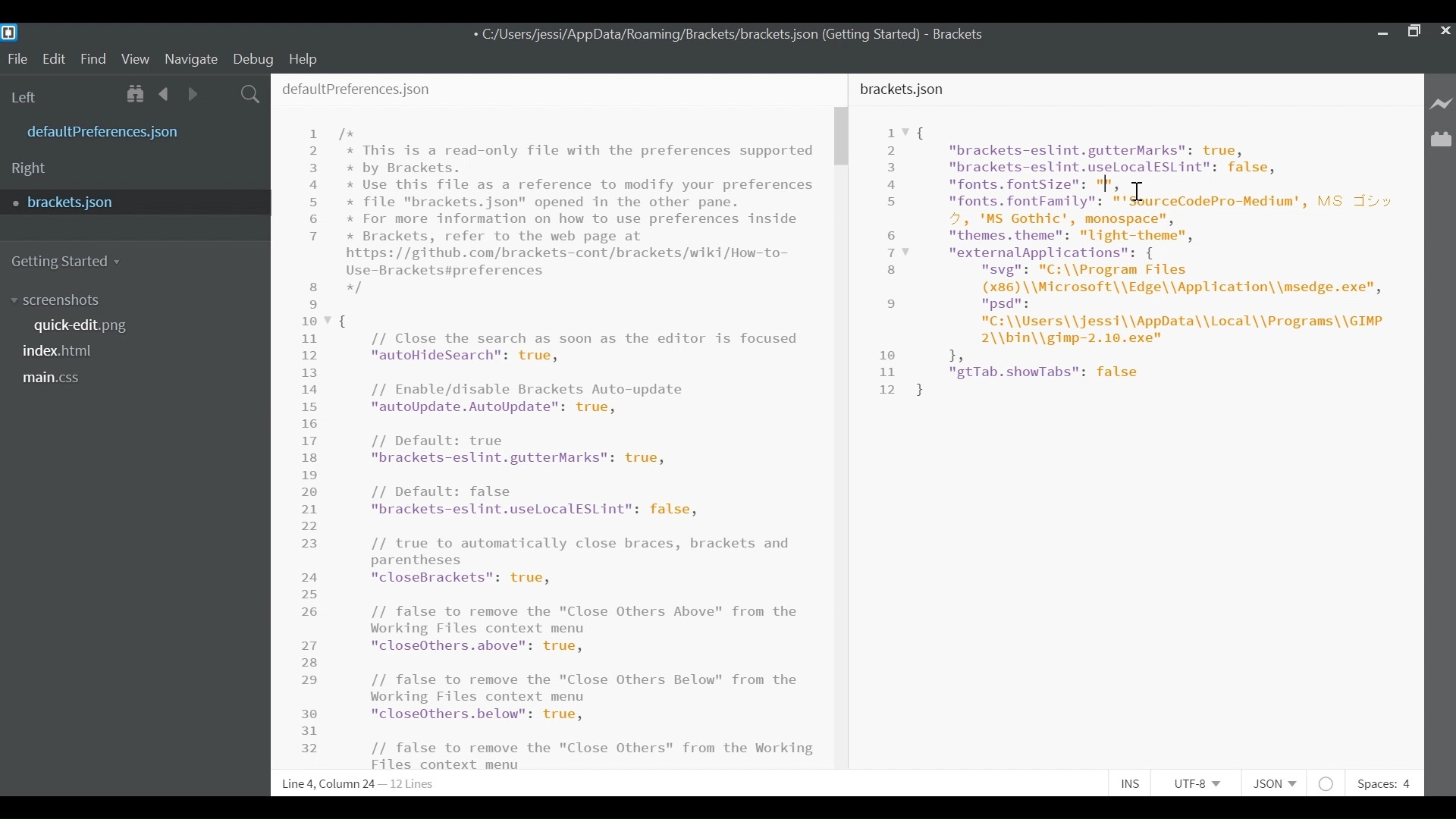 This screenshot has height=819, width=1456. Describe the element at coordinates (17, 59) in the screenshot. I see `File` at that location.